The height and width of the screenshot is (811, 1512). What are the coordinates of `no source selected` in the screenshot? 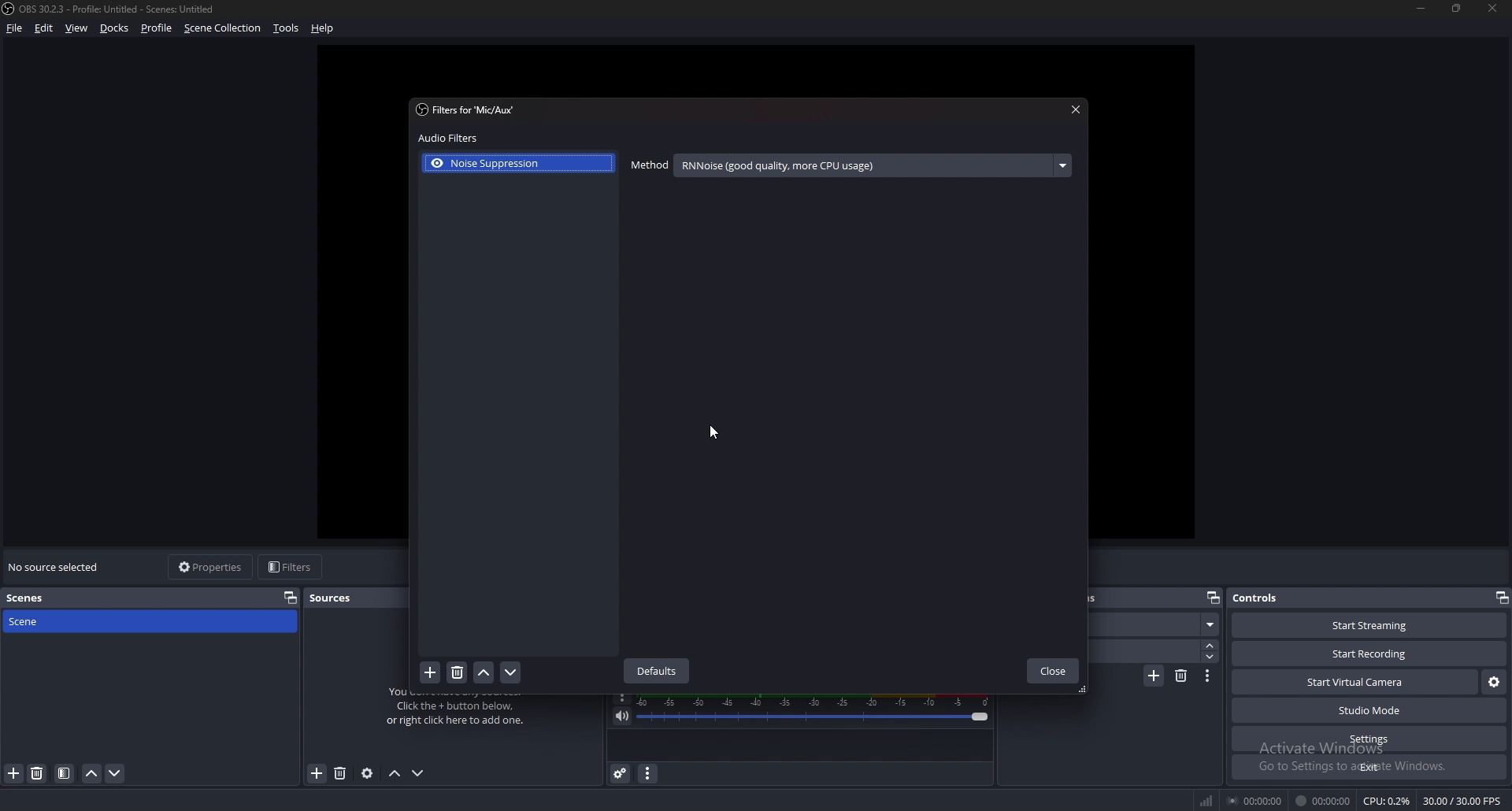 It's located at (55, 566).